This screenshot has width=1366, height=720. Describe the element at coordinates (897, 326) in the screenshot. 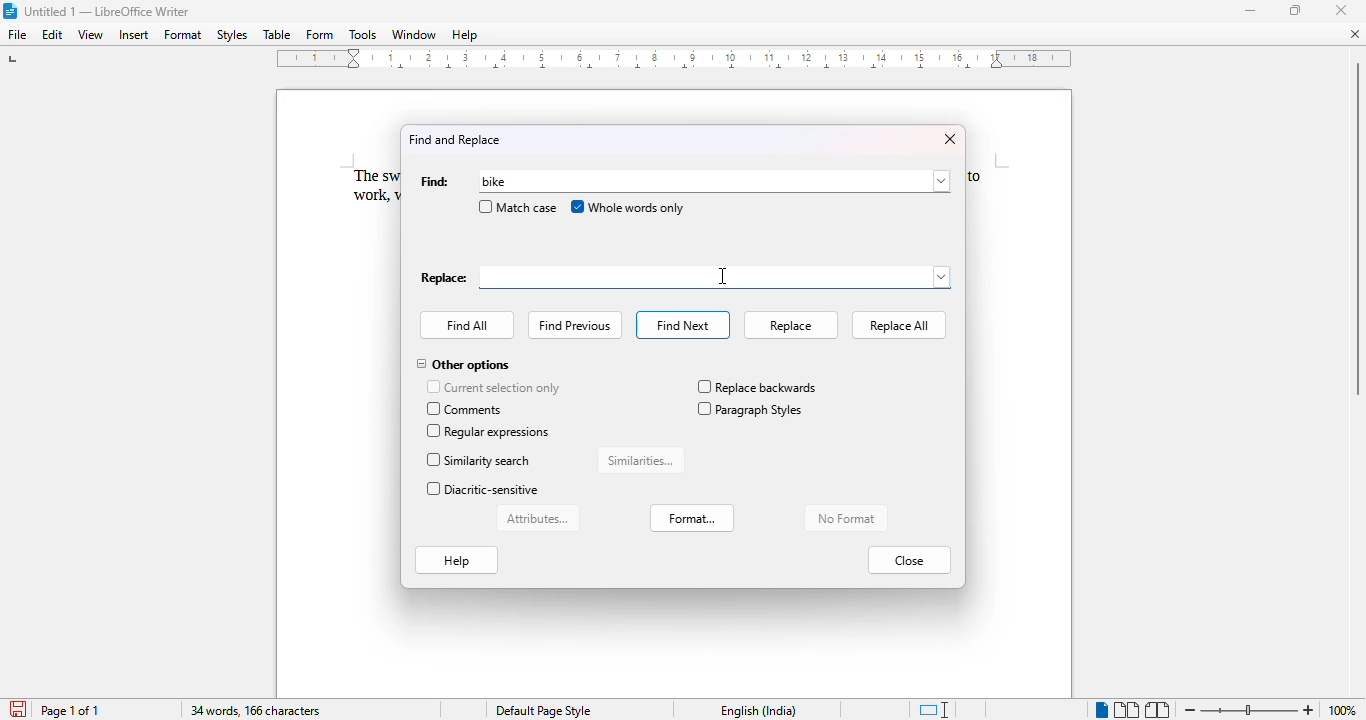

I see `replace all` at that location.